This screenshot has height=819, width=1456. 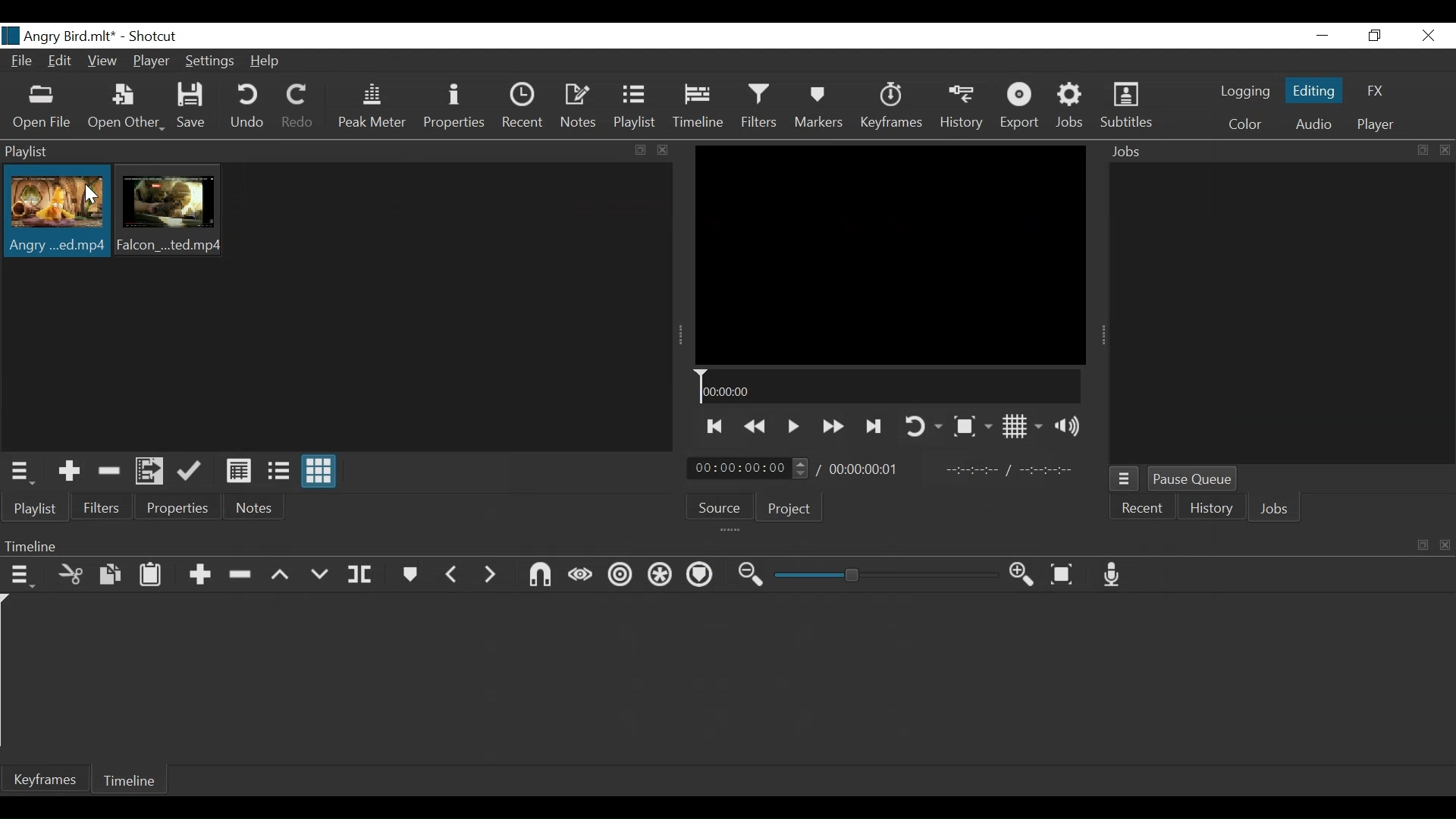 What do you see at coordinates (890, 255) in the screenshot?
I see `Media Viewer` at bounding box center [890, 255].